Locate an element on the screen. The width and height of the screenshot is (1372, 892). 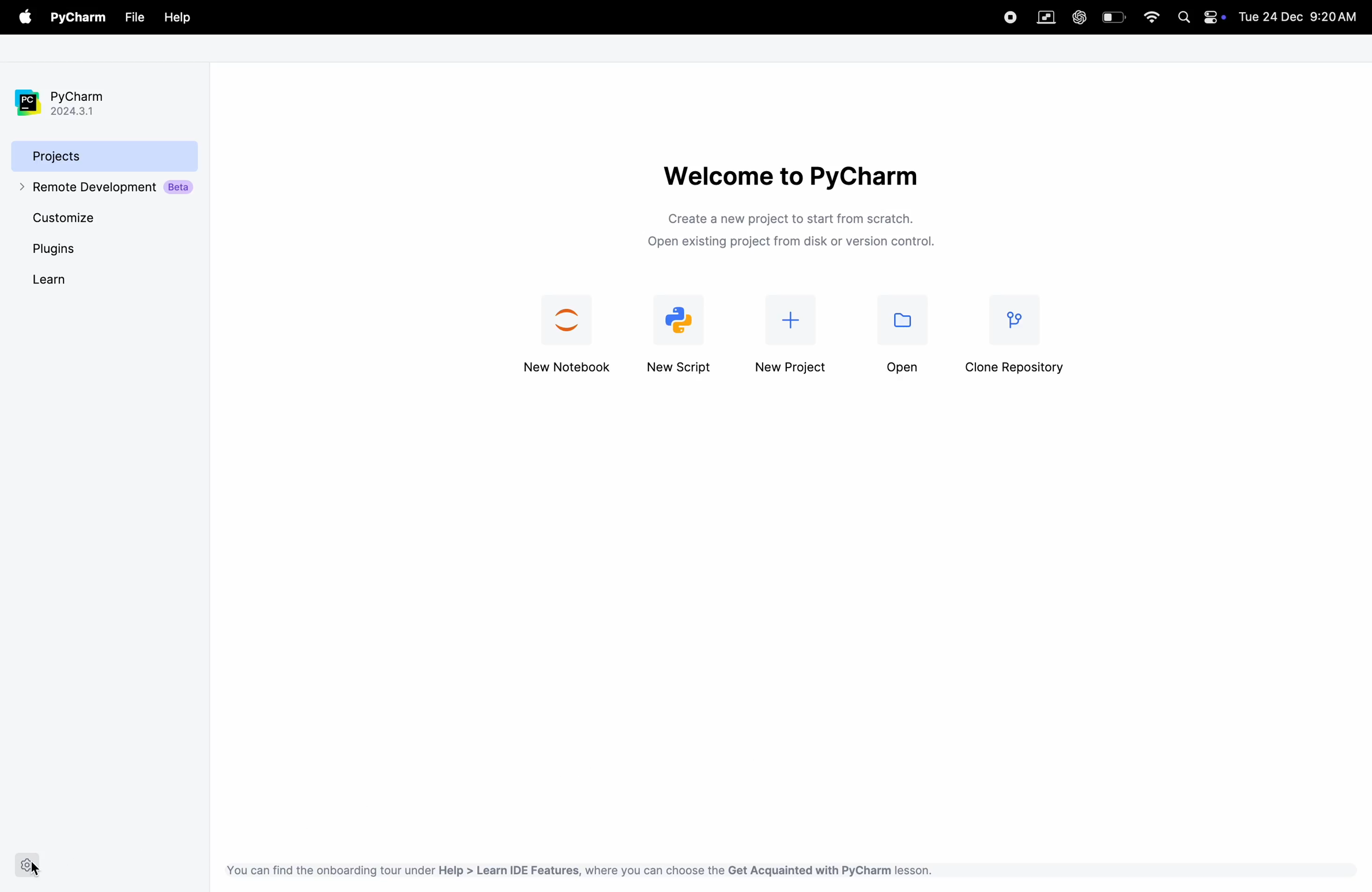
new project is located at coordinates (793, 339).